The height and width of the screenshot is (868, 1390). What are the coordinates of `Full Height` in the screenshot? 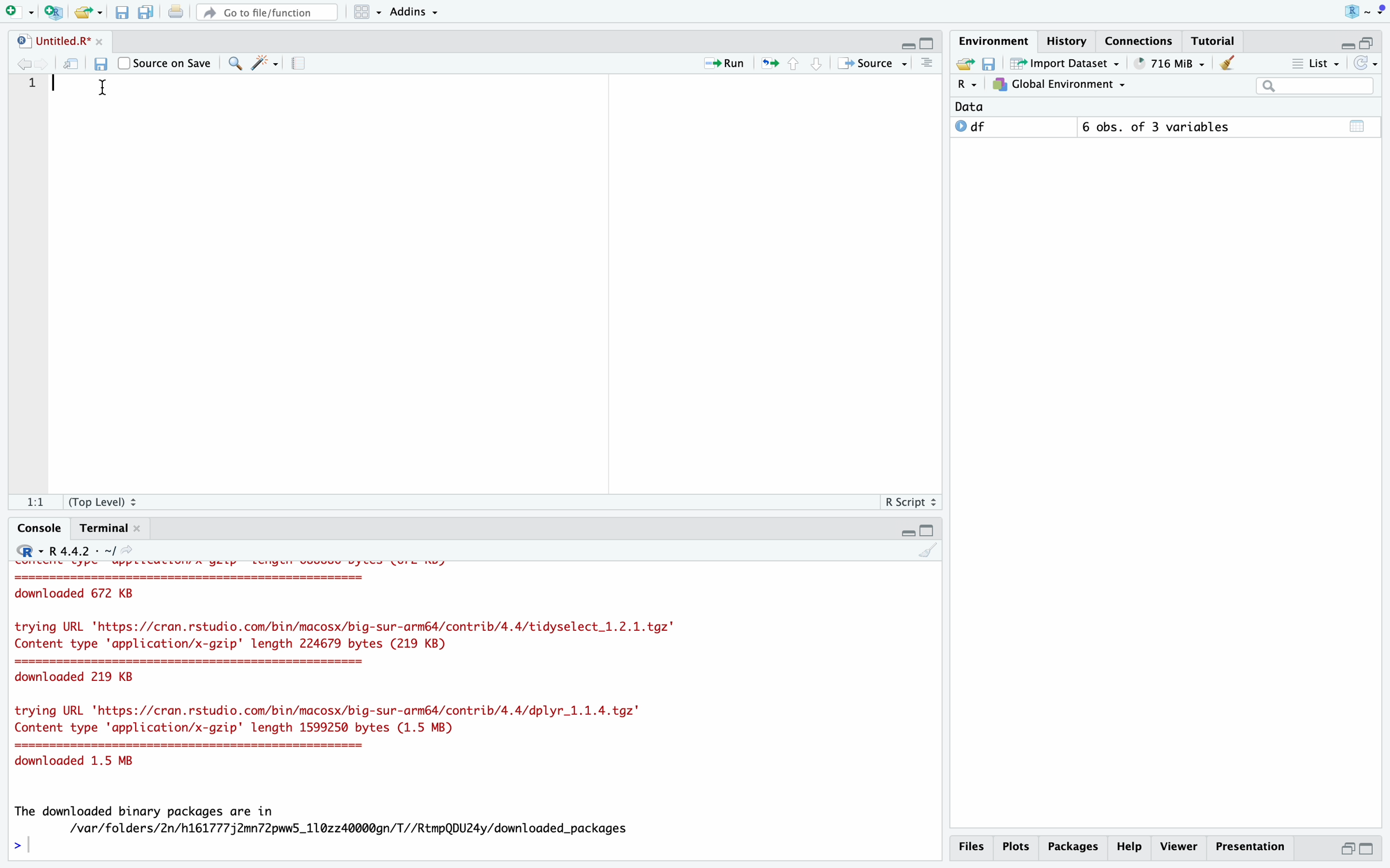 It's located at (929, 41).